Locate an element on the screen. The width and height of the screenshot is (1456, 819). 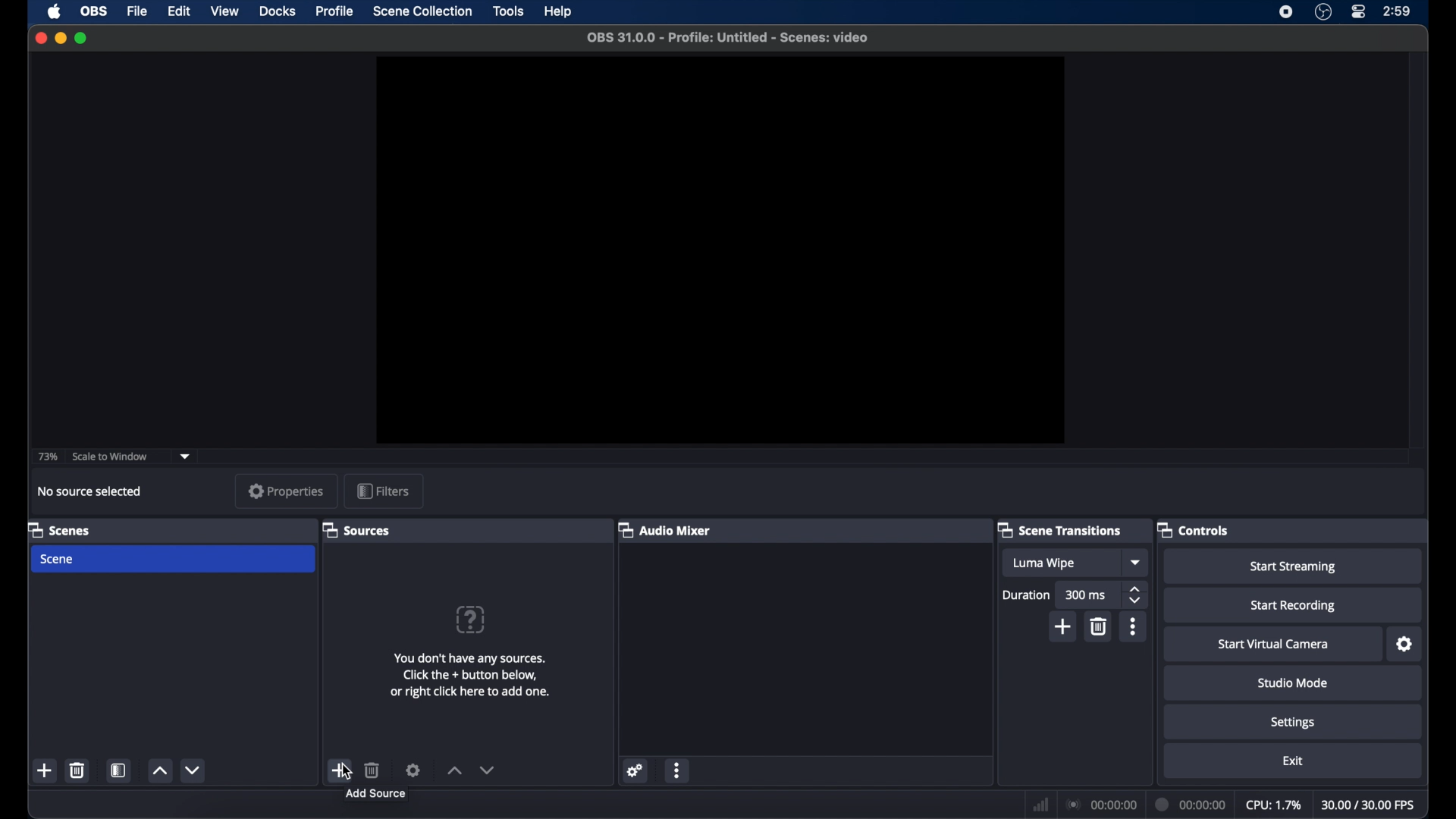
fps is located at coordinates (1369, 805).